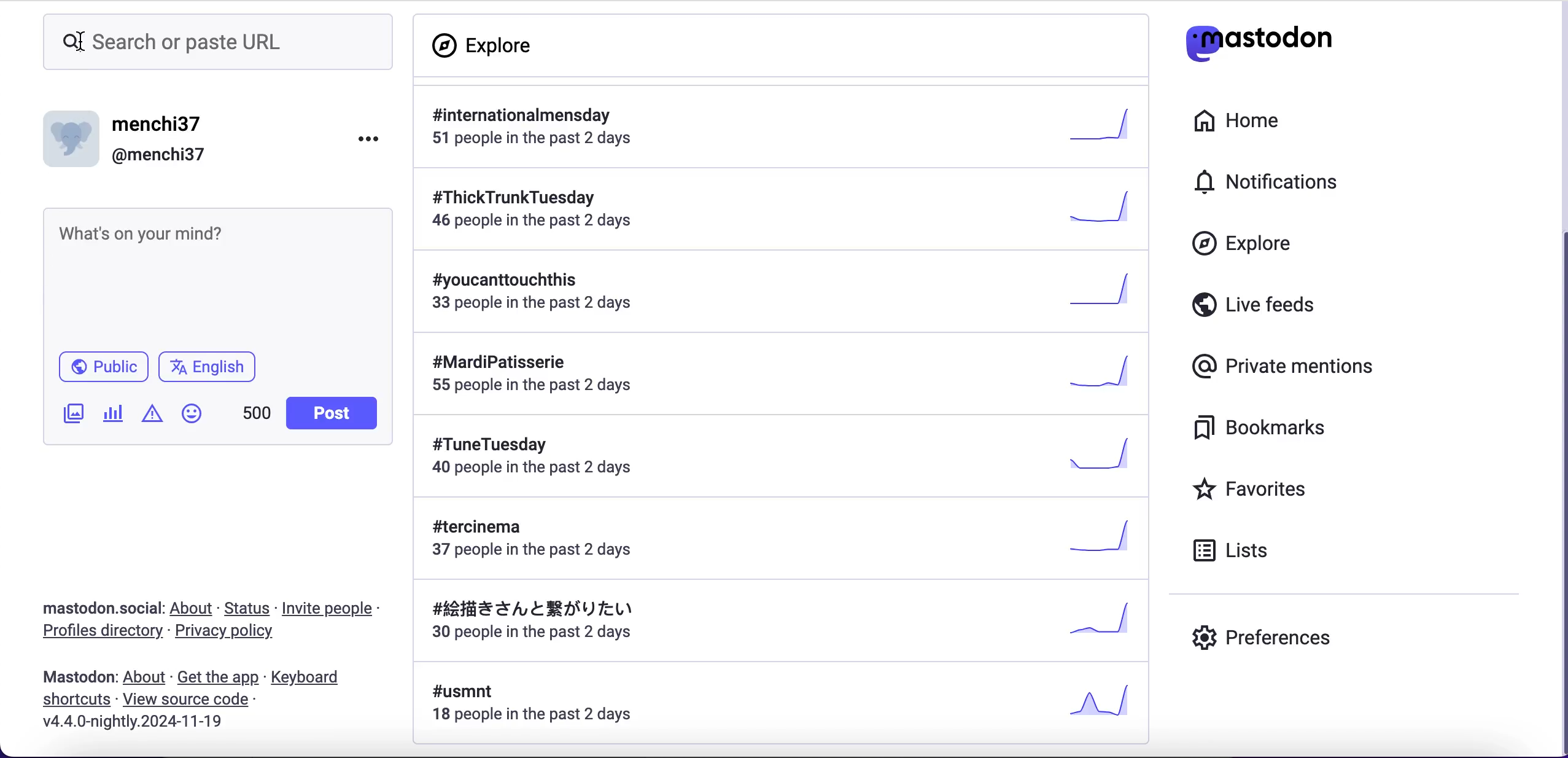  I want to click on #MardiPatisserie, so click(774, 374).